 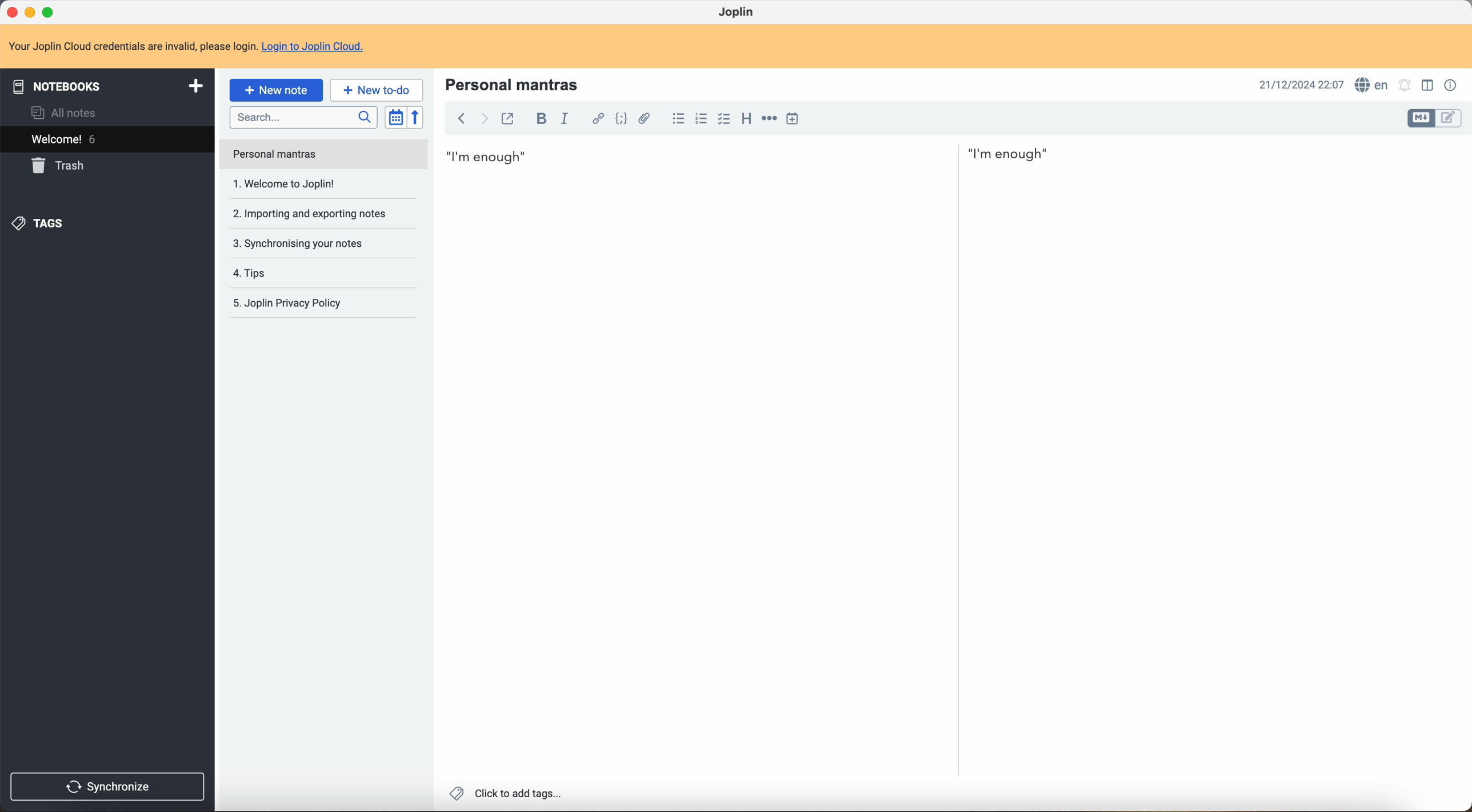 I want to click on toggle external editing, so click(x=507, y=118).